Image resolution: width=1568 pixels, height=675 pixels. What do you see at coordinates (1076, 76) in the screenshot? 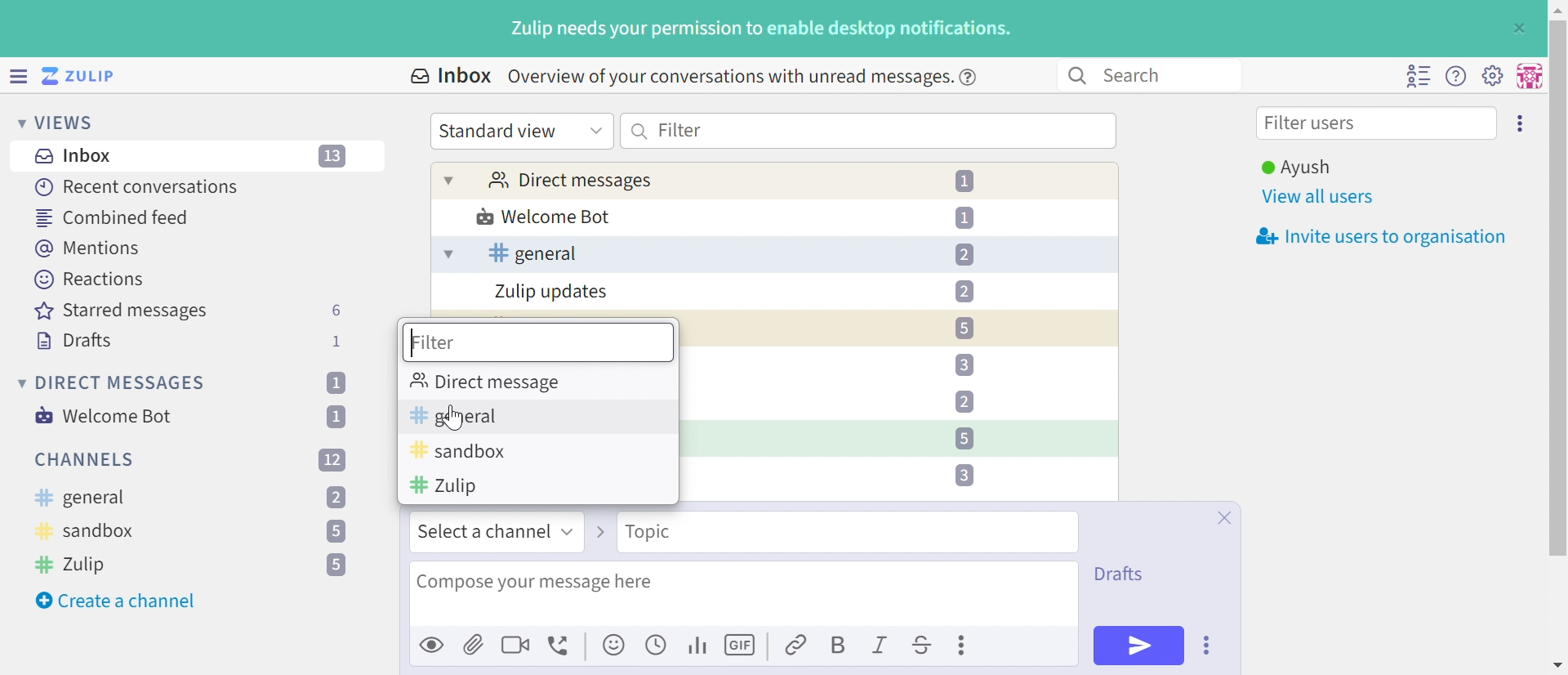
I see `Search` at bounding box center [1076, 76].